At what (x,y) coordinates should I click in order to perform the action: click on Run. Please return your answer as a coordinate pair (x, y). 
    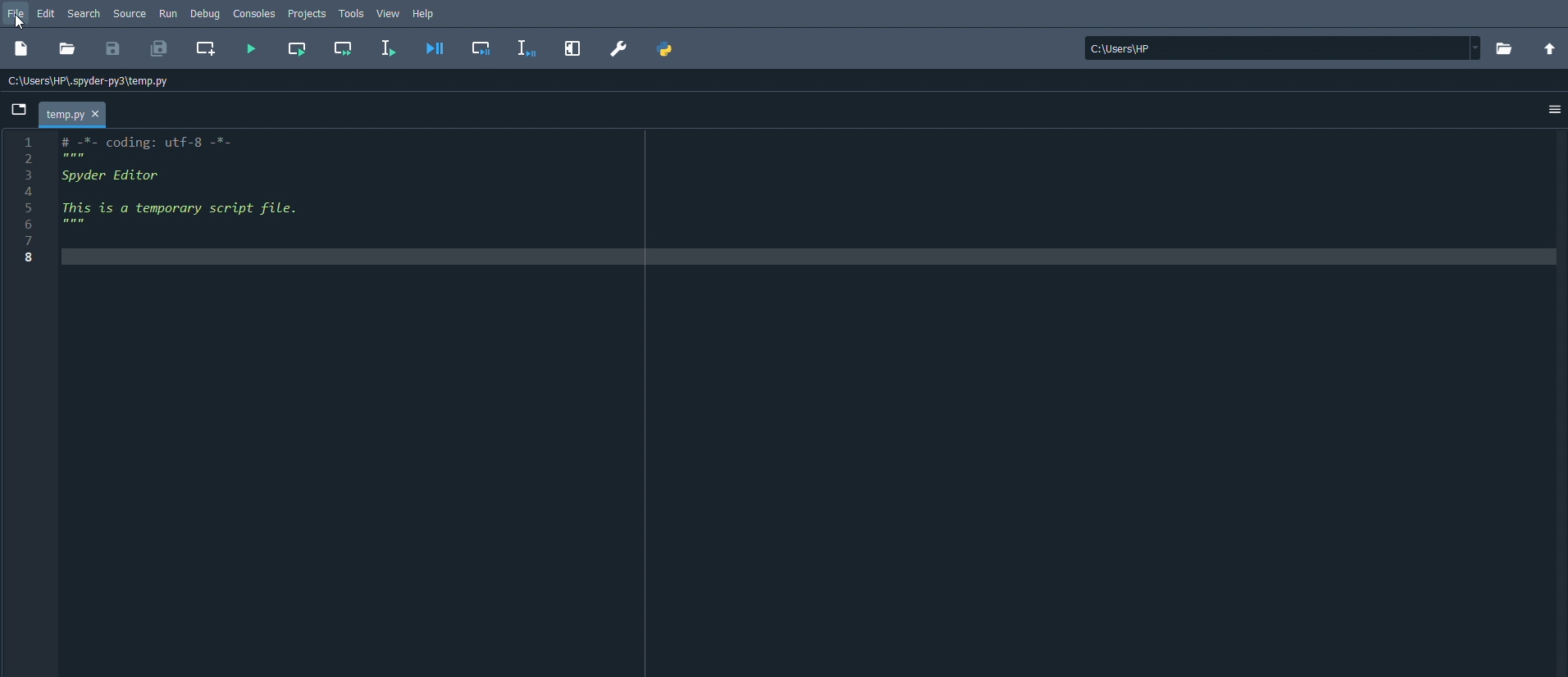
    Looking at the image, I should click on (169, 12).